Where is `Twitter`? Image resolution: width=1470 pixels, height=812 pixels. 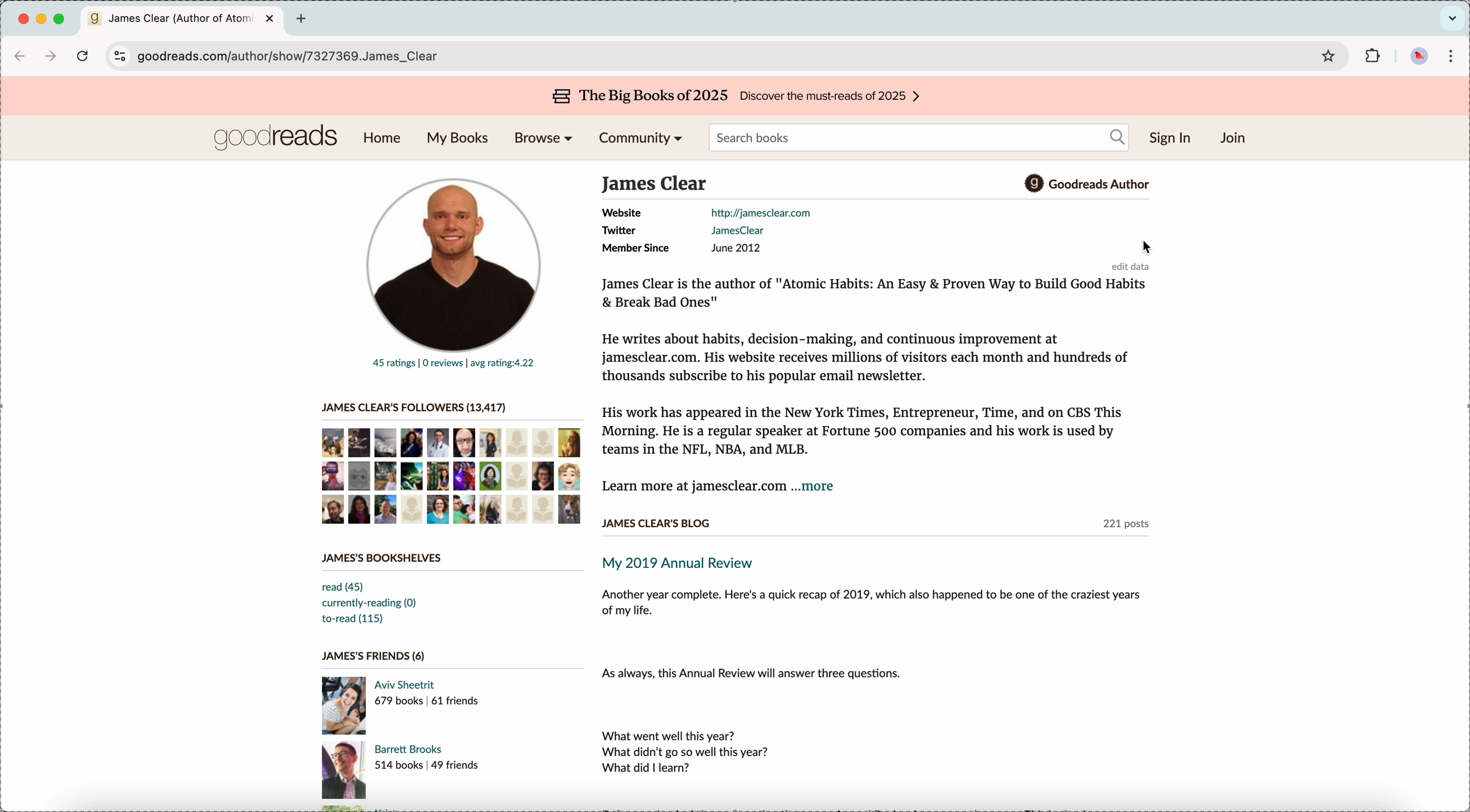
Twitter is located at coordinates (618, 231).